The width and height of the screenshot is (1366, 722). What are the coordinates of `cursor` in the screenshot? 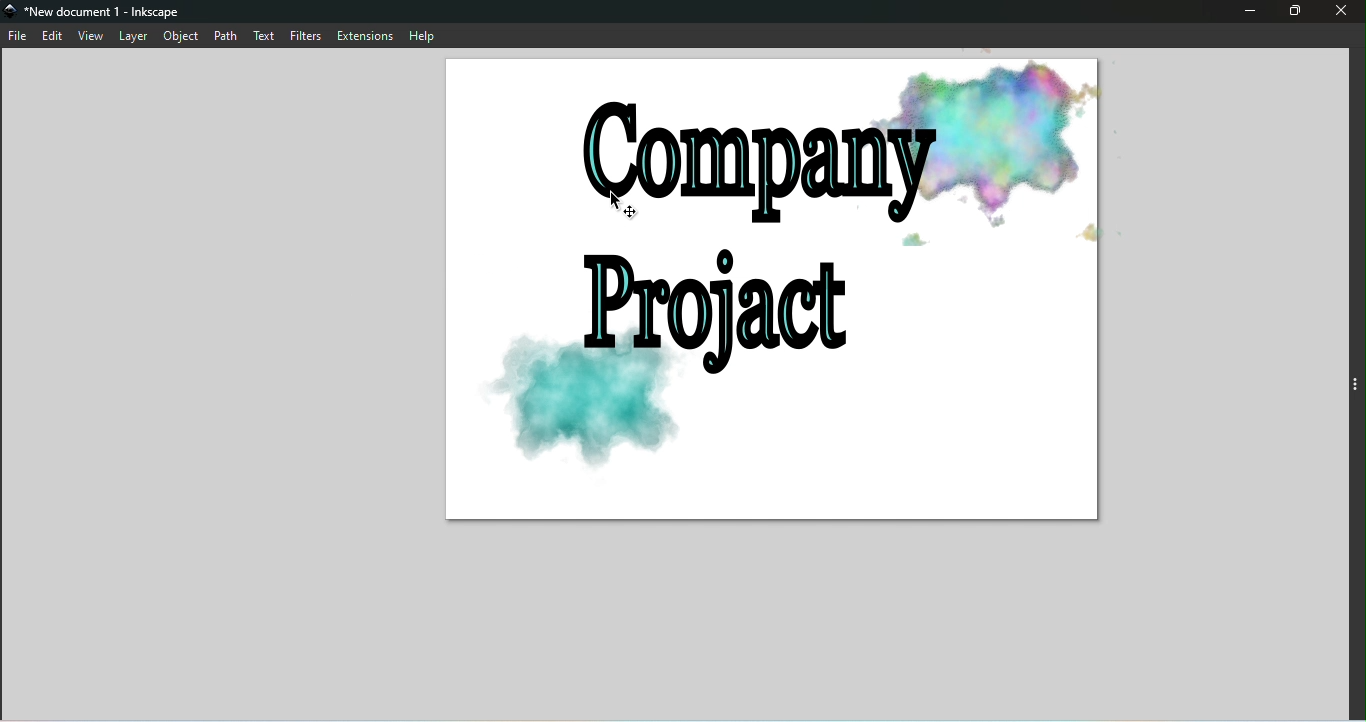 It's located at (630, 204).